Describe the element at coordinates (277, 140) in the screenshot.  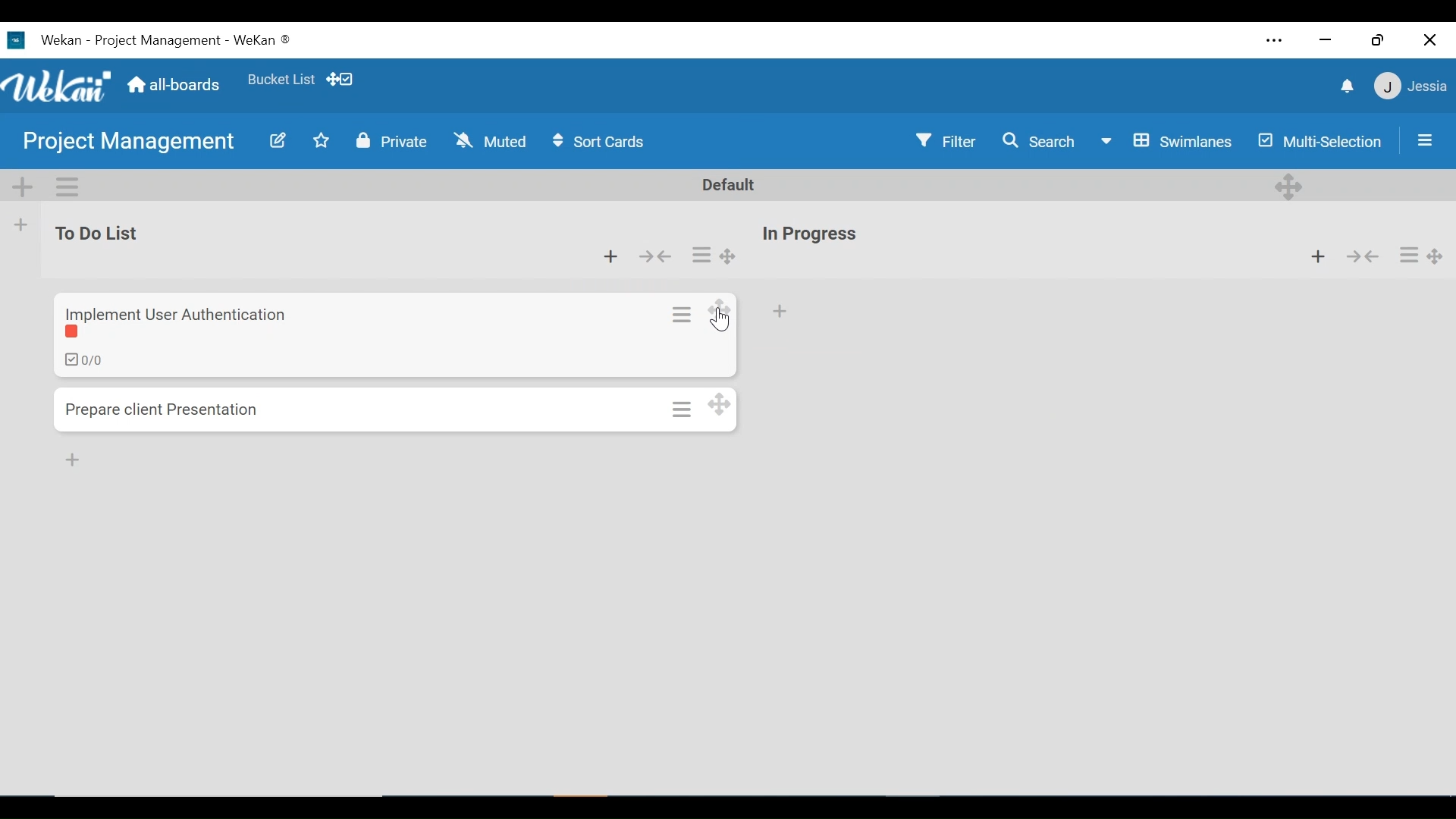
I see `Edit` at that location.